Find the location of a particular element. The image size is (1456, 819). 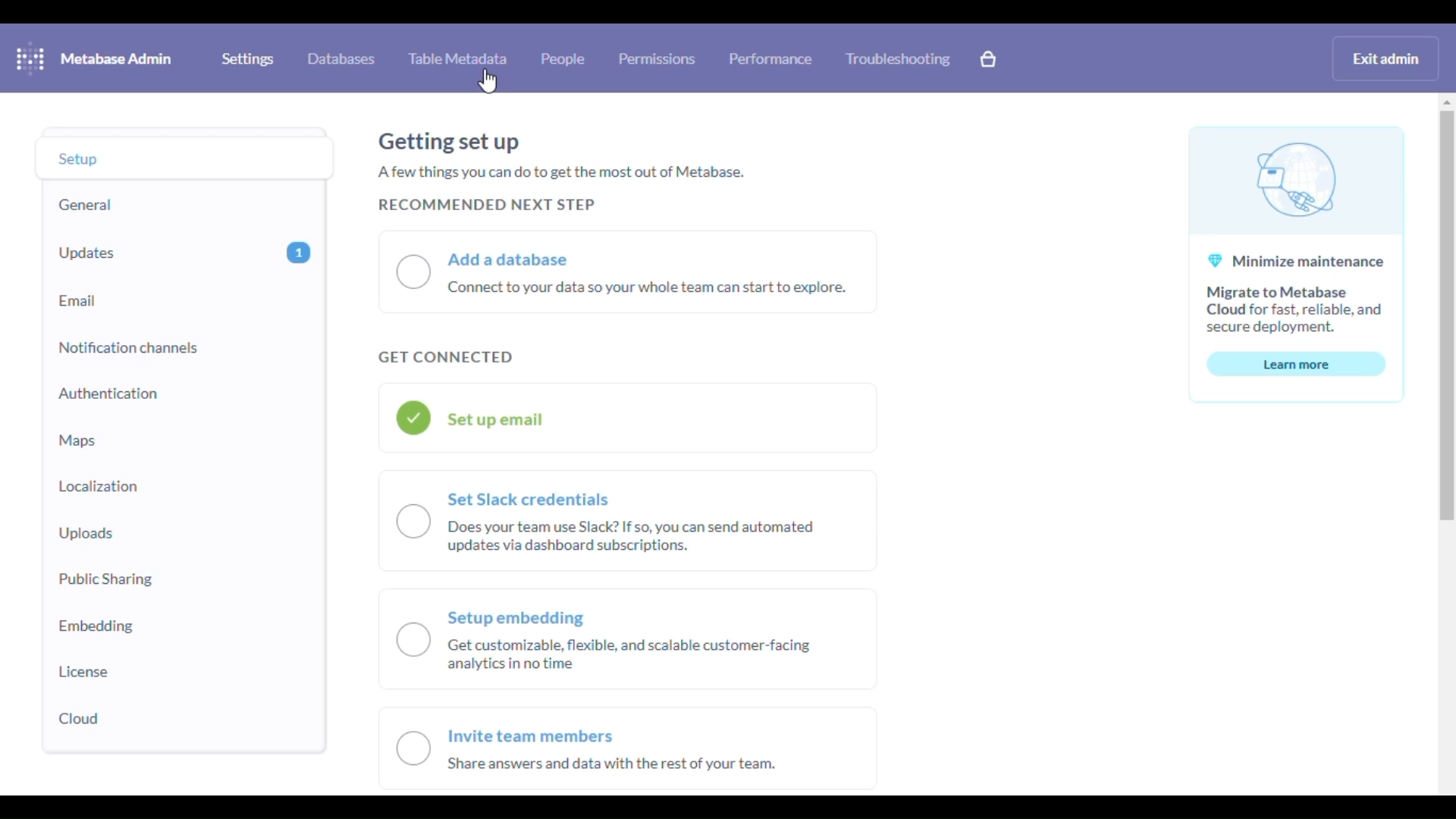

a few things you can do to get the most out of metabase. is located at coordinates (563, 172).